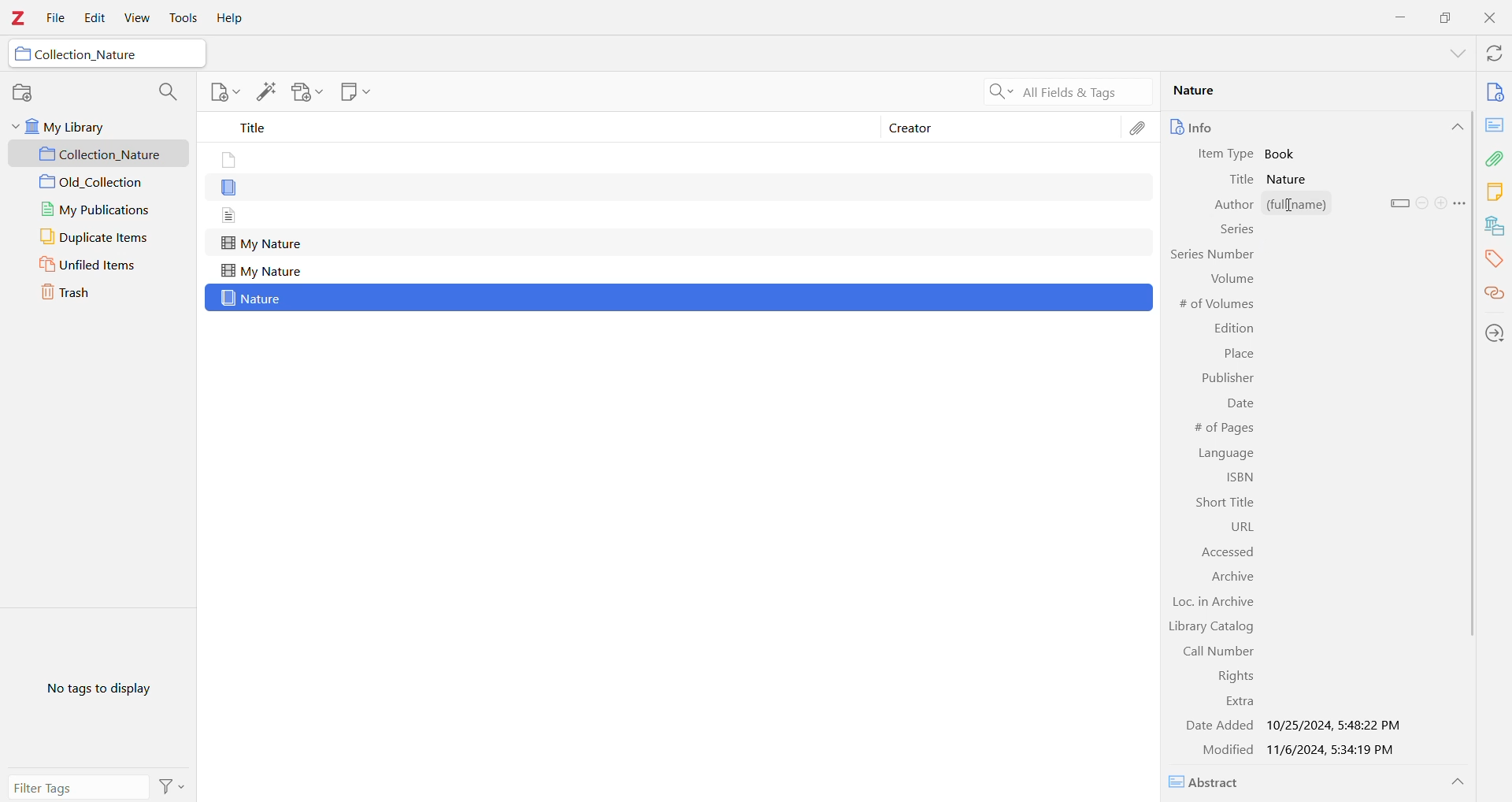  Describe the element at coordinates (1422, 202) in the screenshot. I see `Delete` at that location.